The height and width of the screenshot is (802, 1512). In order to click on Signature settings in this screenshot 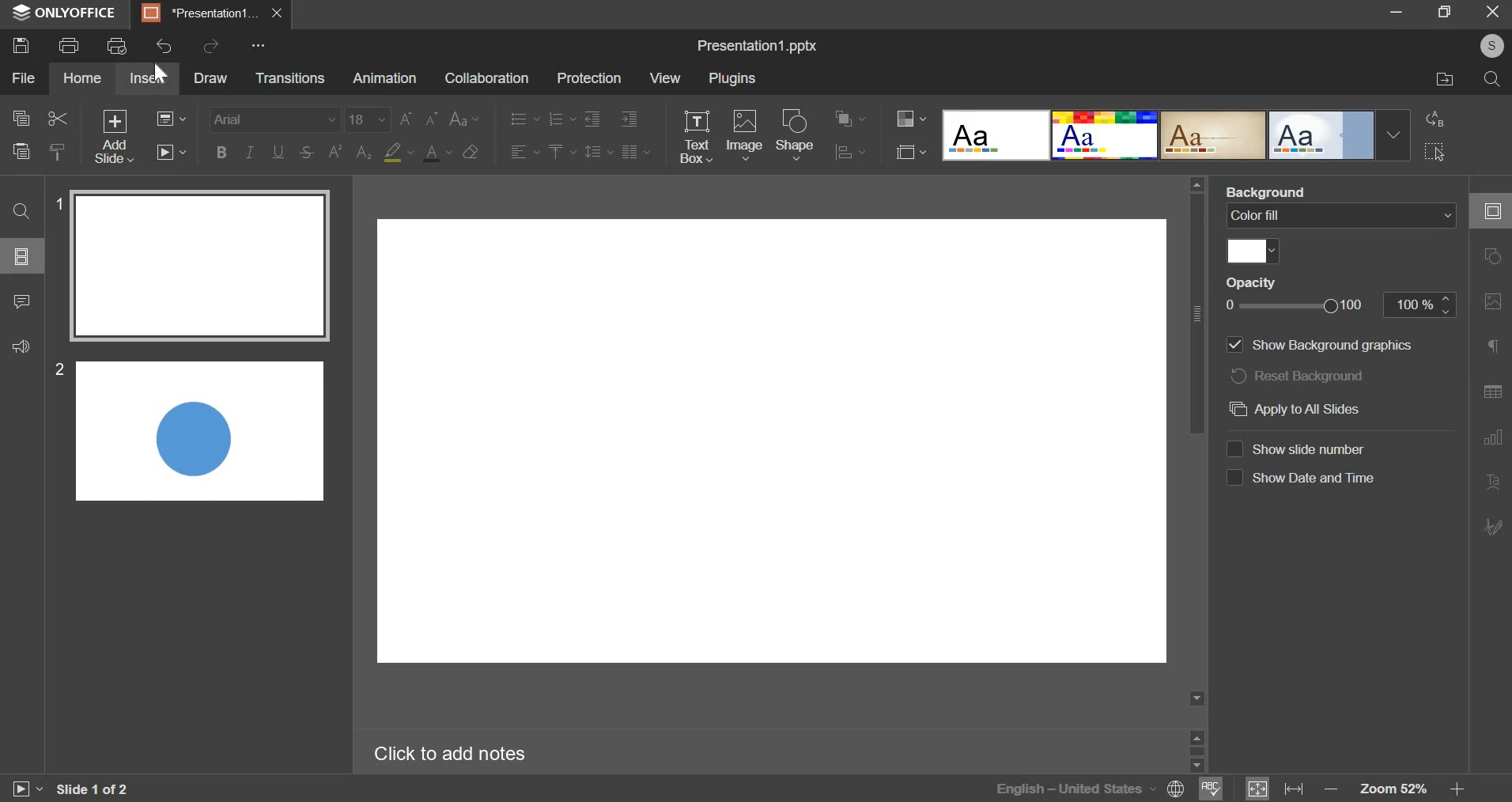, I will do `click(1495, 526)`.